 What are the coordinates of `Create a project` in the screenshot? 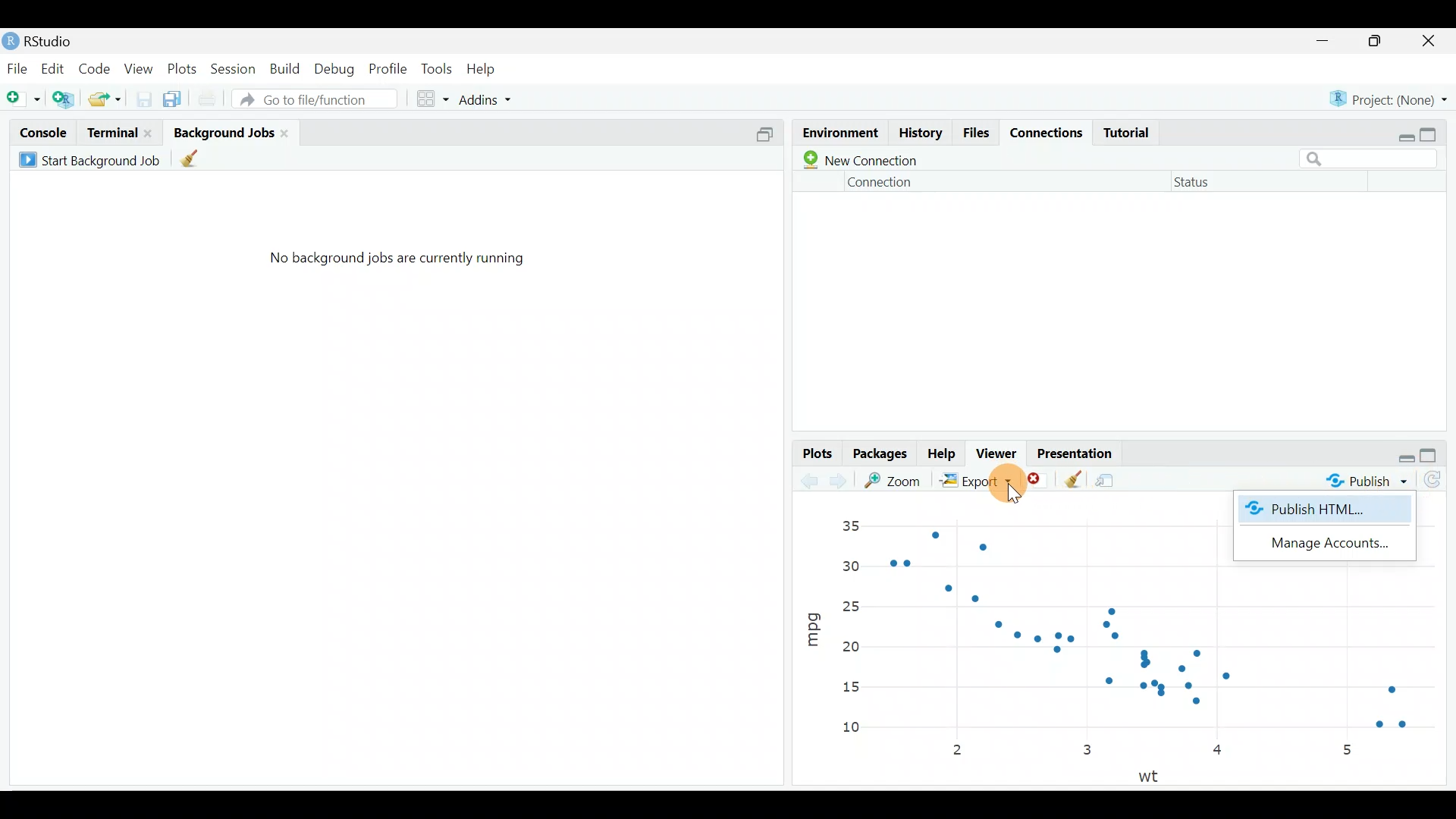 It's located at (64, 96).